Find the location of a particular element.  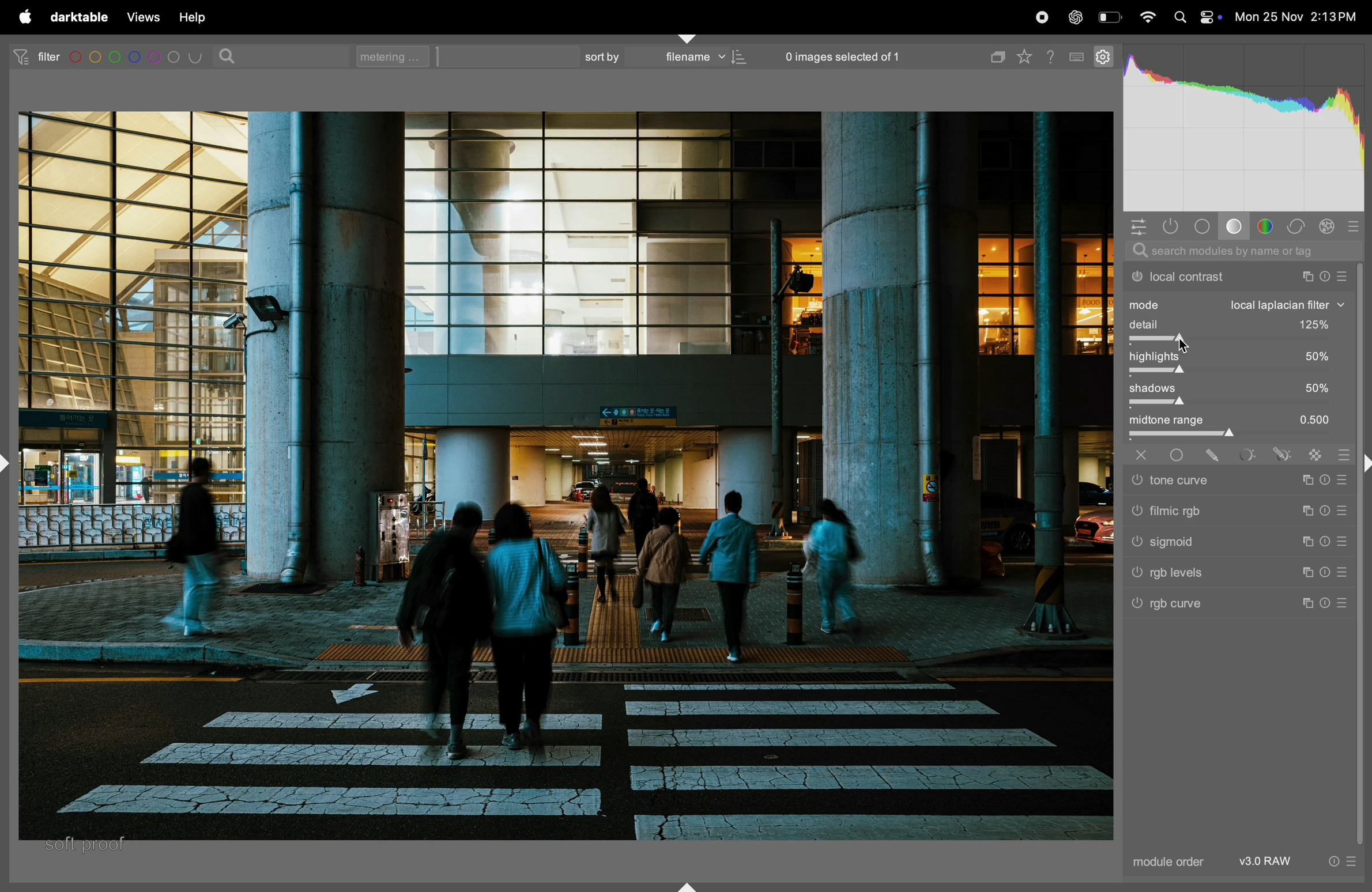

midtone is located at coordinates (1237, 421).